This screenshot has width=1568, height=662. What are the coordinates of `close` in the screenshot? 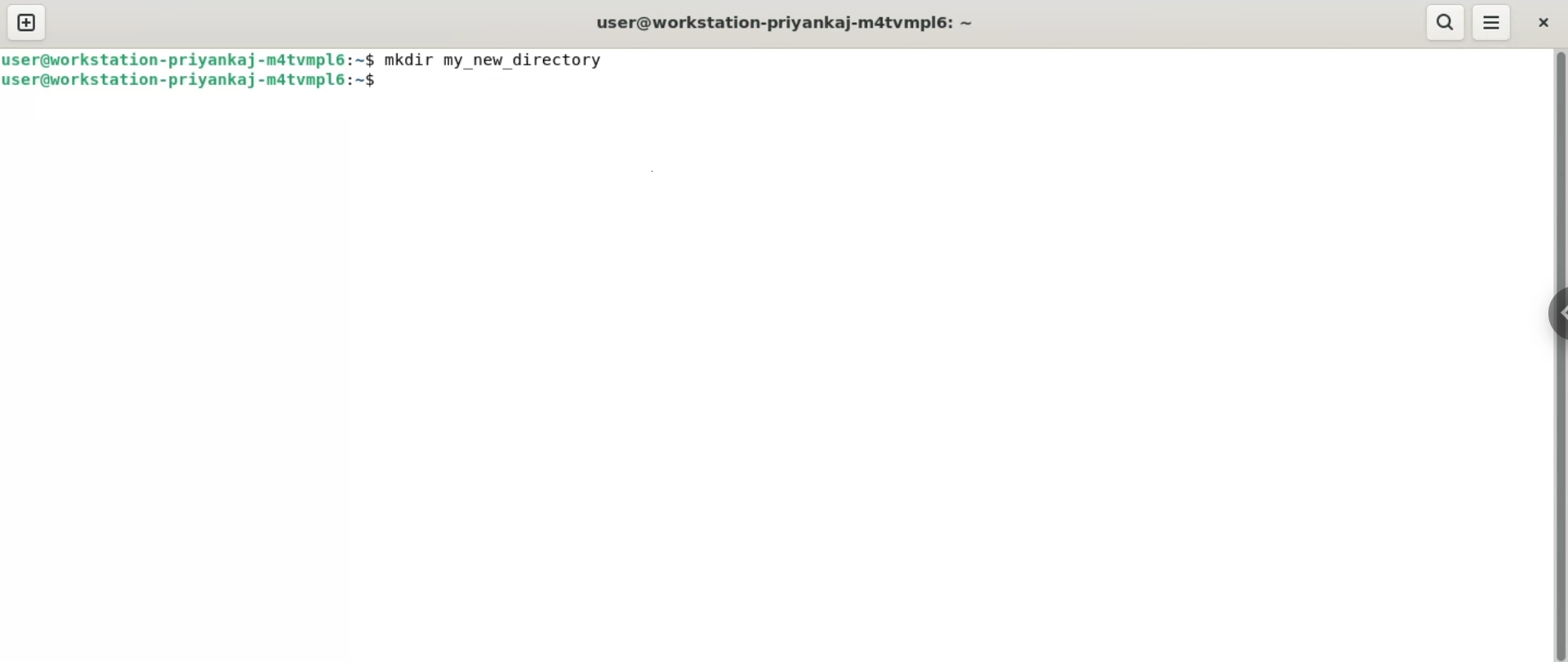 It's located at (1547, 21).